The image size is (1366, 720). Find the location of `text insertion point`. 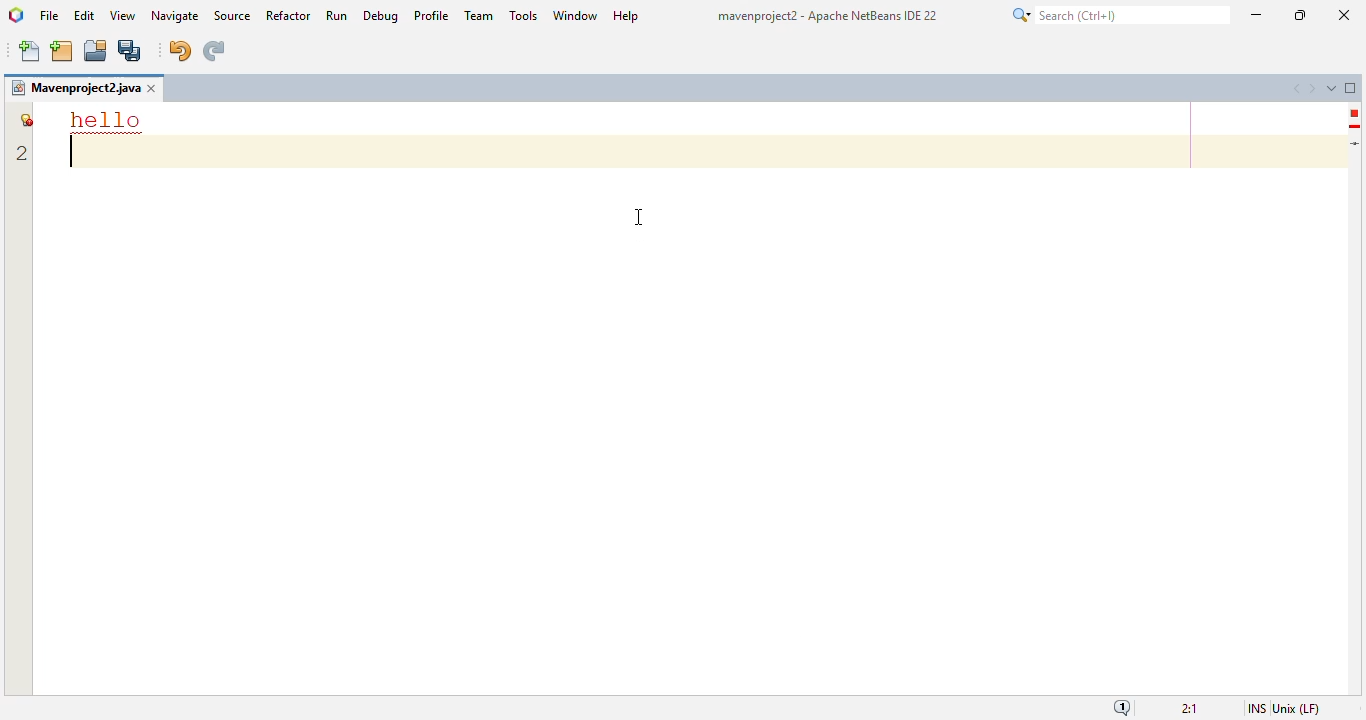

text insertion point is located at coordinates (73, 154).